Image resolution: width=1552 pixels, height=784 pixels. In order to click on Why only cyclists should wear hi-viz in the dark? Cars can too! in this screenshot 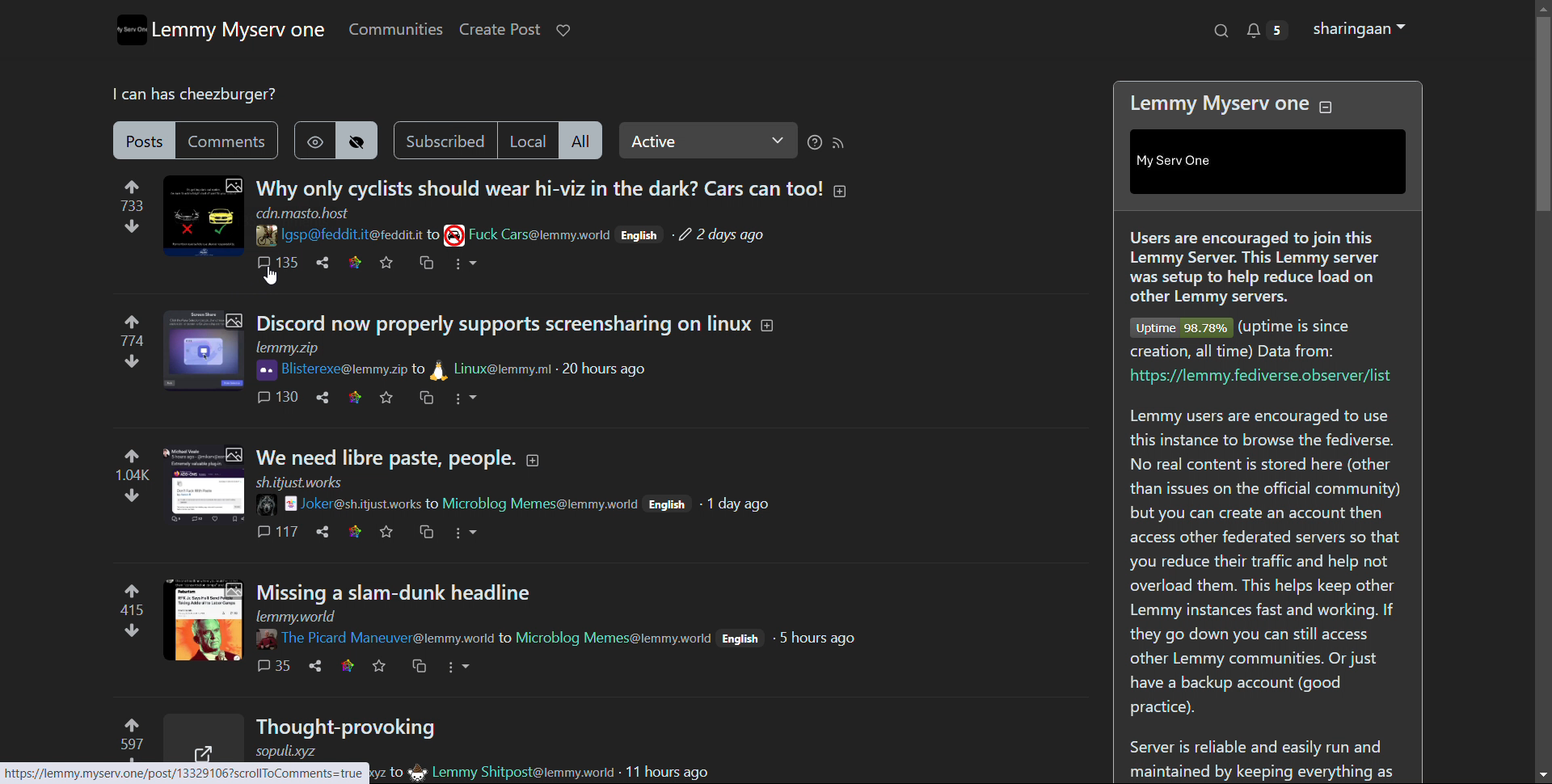, I will do `click(538, 186)`.